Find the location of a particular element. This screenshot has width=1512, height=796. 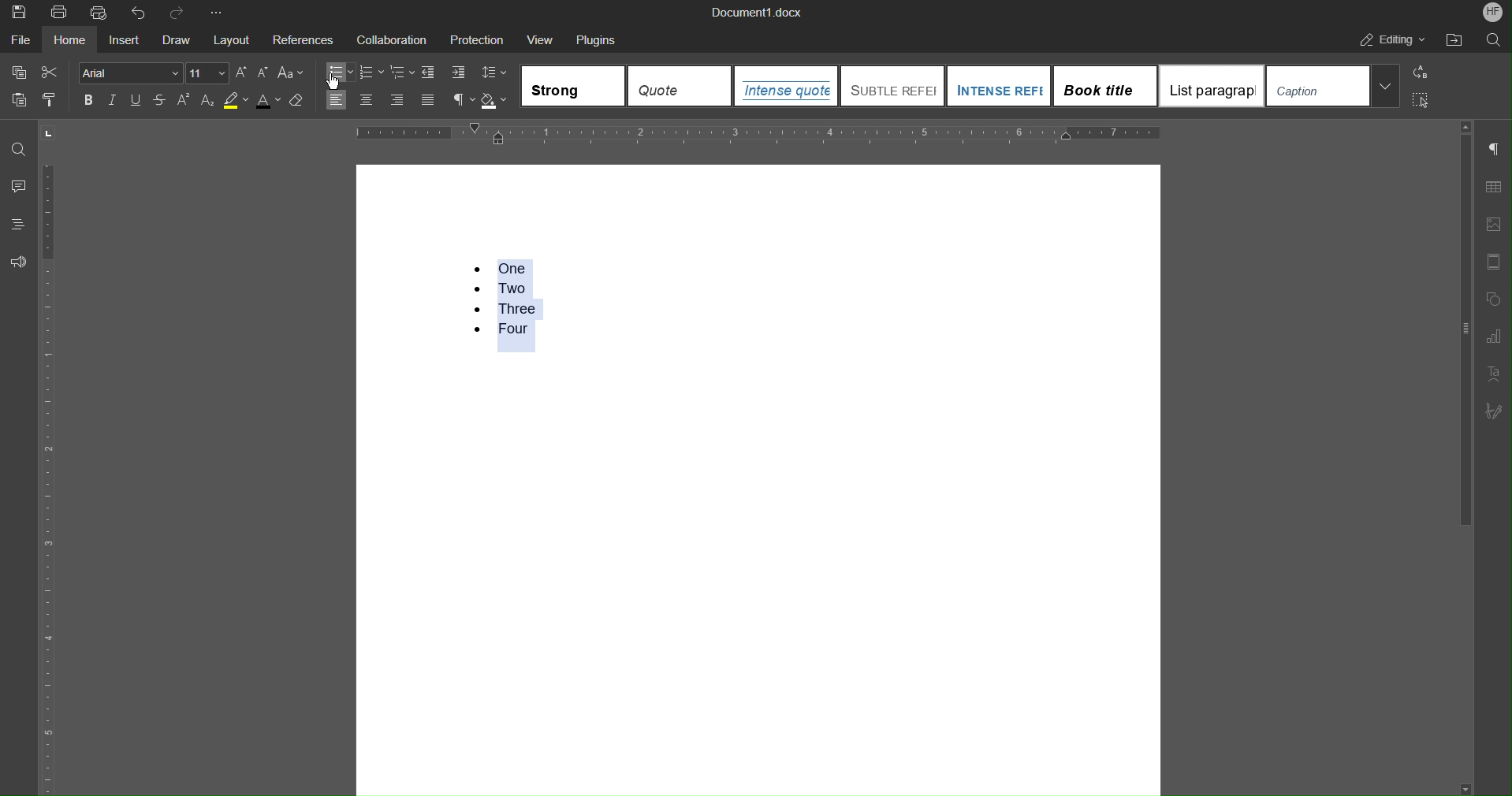

Font Size is located at coordinates (208, 73).